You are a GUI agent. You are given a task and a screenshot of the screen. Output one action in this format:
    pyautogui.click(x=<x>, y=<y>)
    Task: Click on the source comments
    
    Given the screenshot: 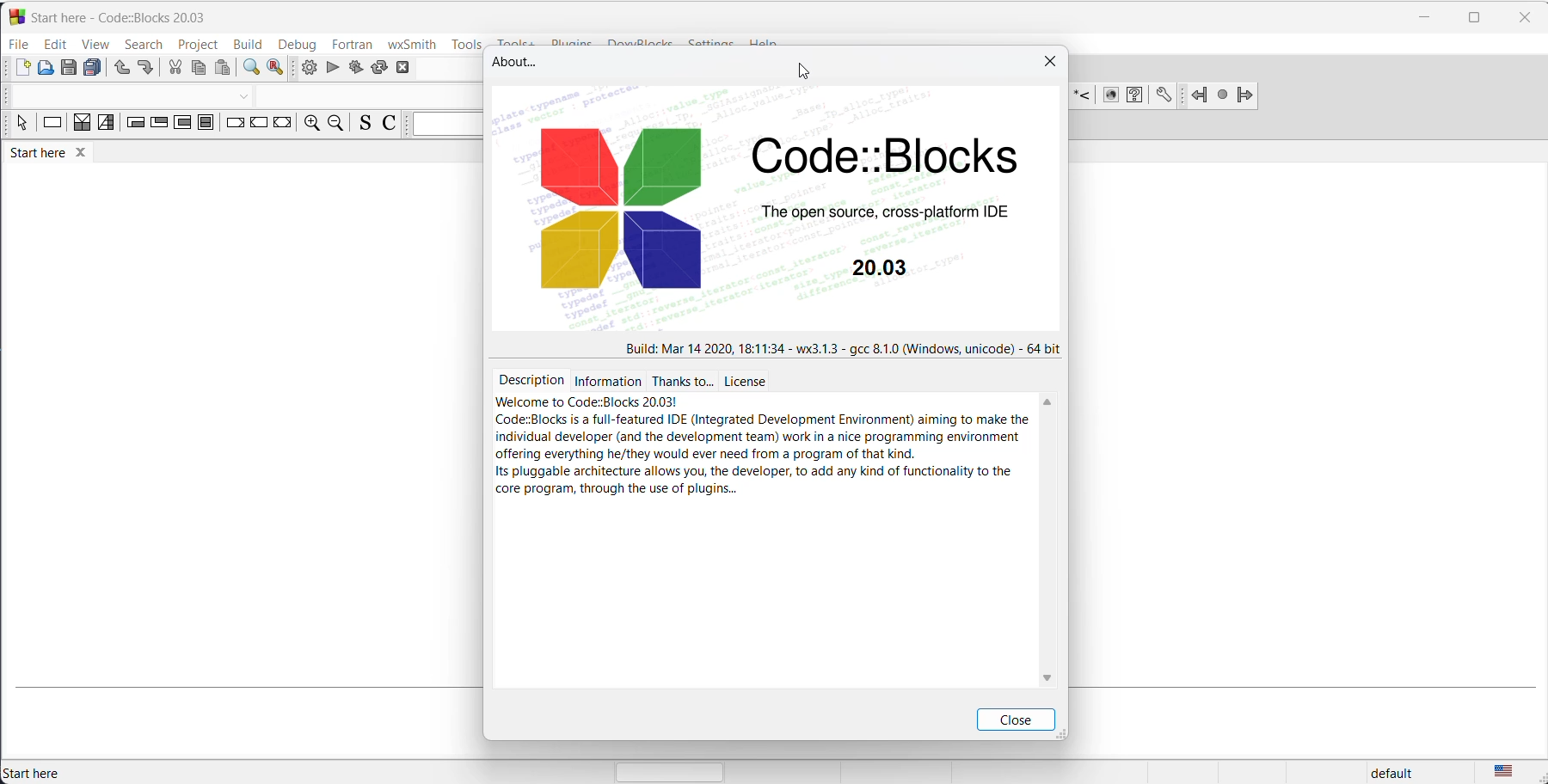 What is the action you would take?
    pyautogui.click(x=363, y=125)
    